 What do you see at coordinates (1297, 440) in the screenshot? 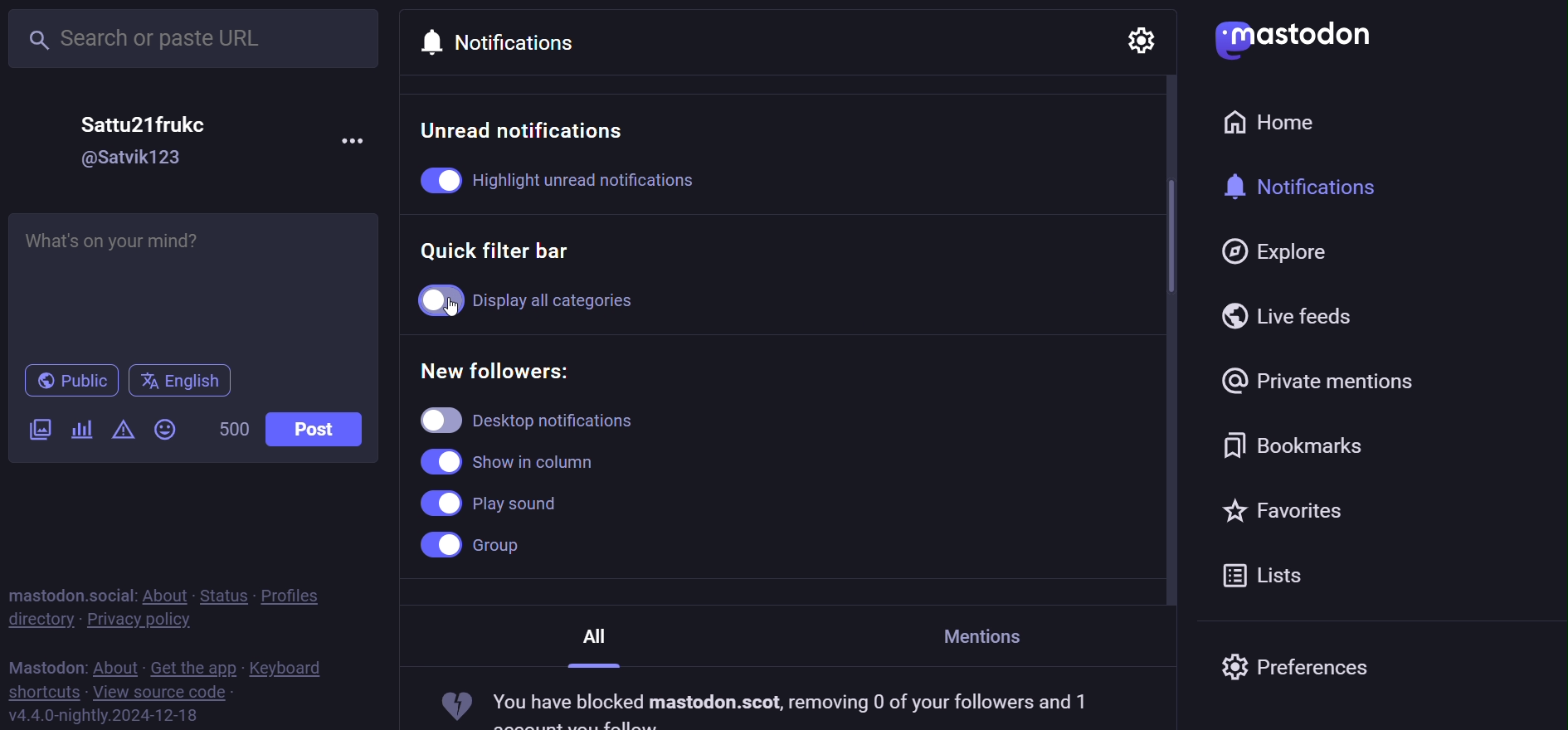
I see `bookmark` at bounding box center [1297, 440].